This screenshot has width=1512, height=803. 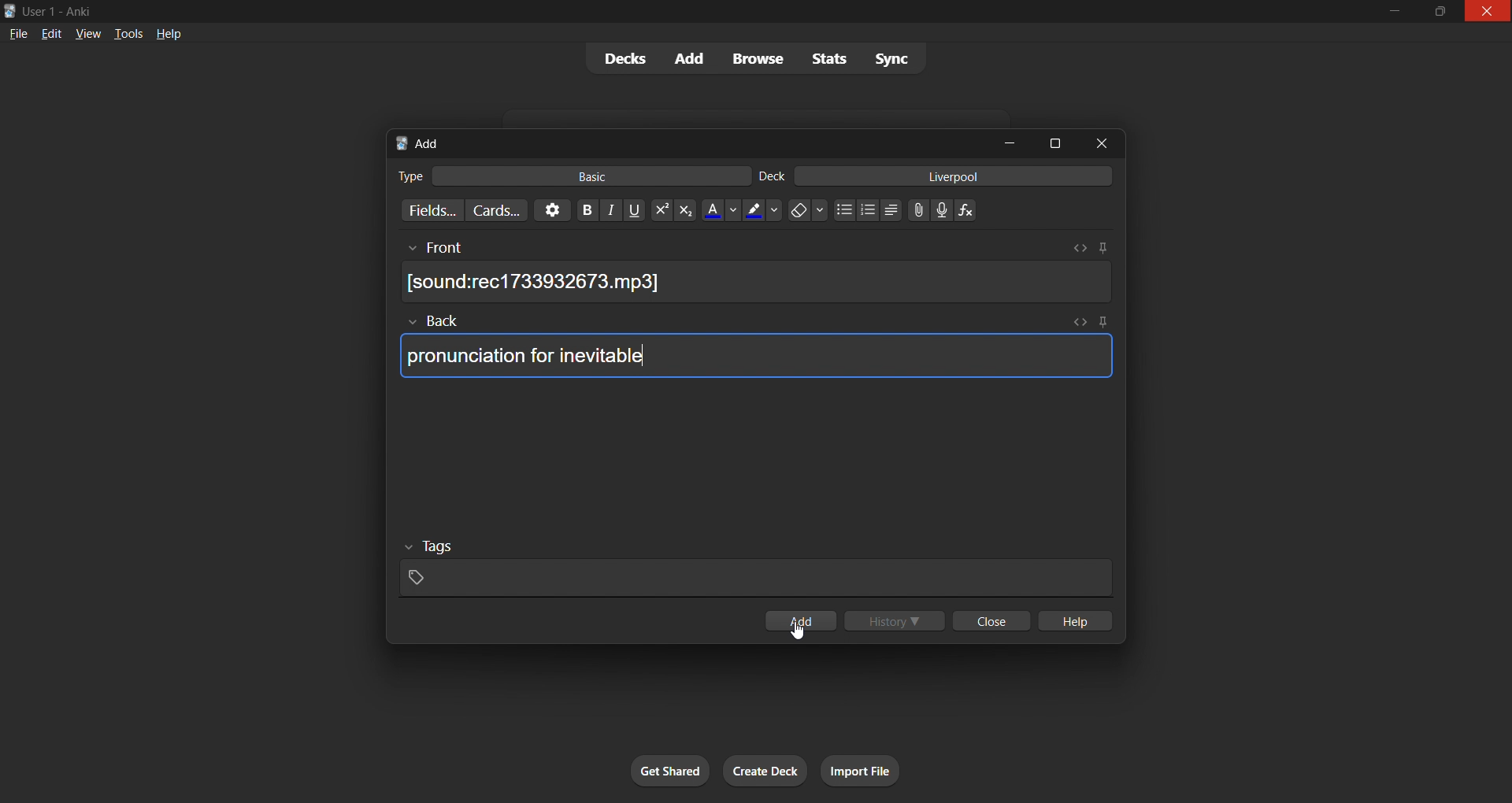 What do you see at coordinates (406, 175) in the screenshot?
I see `card type ` at bounding box center [406, 175].